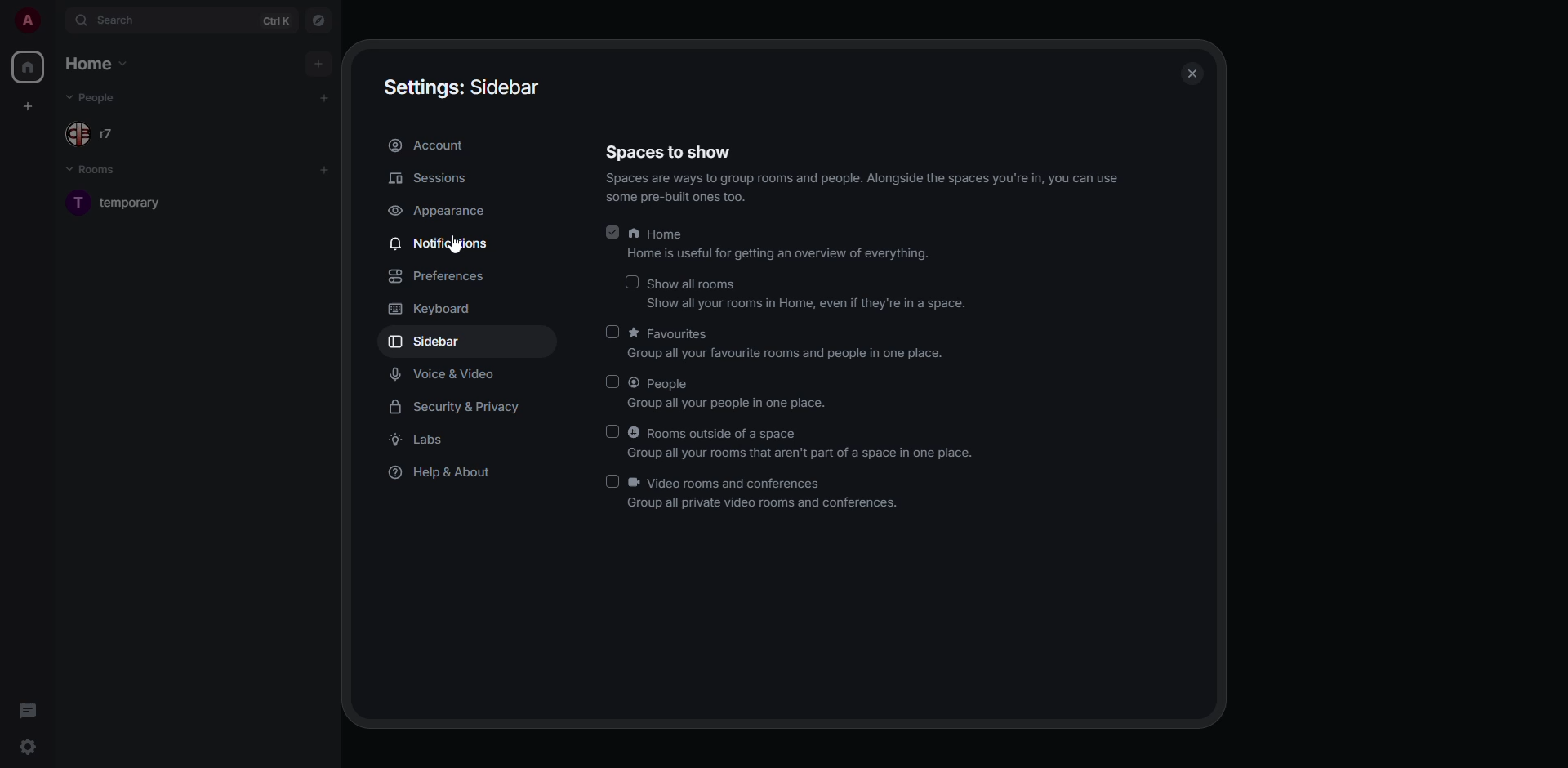 The width and height of the screenshot is (1568, 768). I want to click on sessions, so click(431, 178).